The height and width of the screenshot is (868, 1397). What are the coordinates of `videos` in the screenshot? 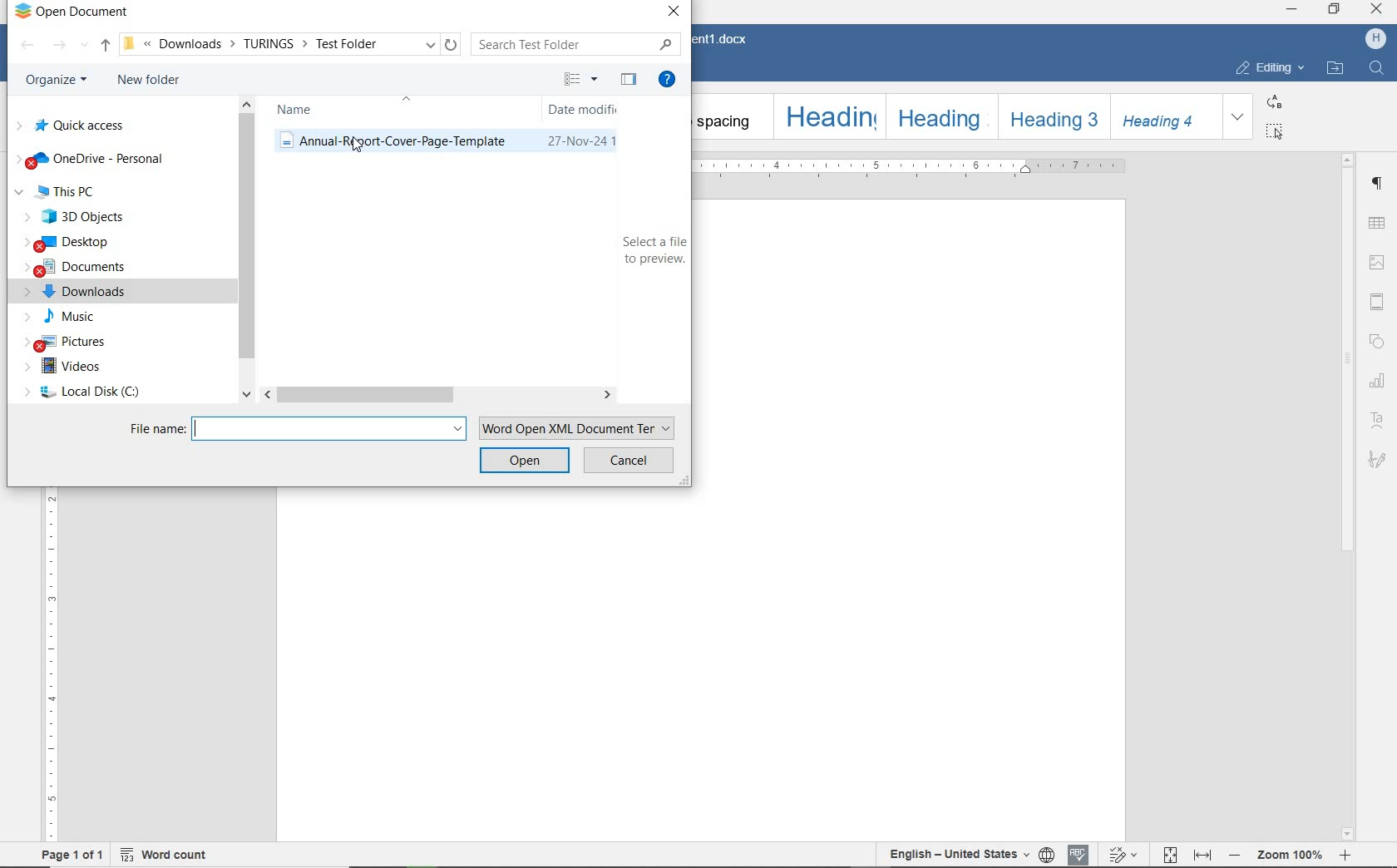 It's located at (68, 368).